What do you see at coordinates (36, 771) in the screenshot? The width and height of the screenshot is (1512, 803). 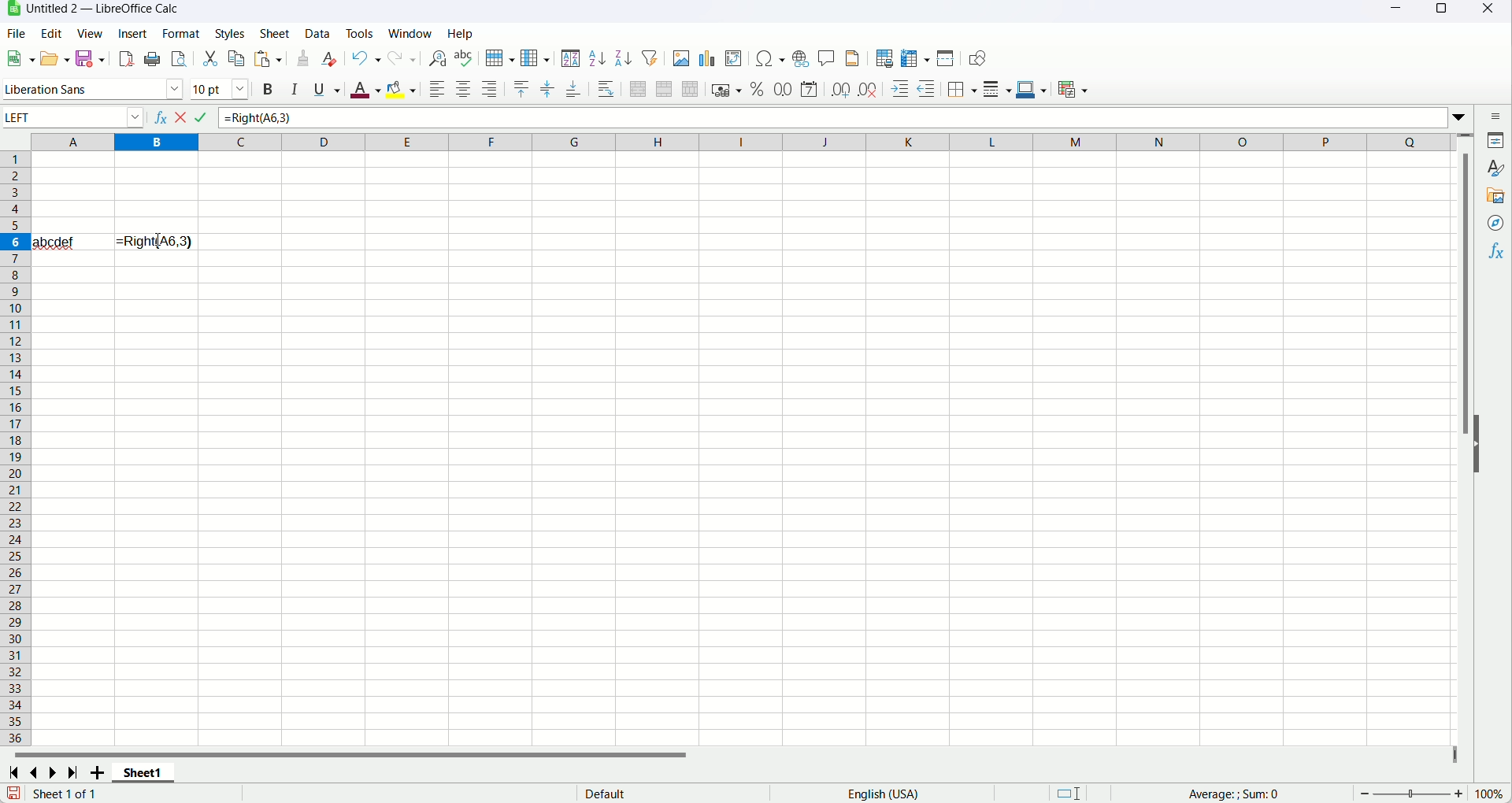 I see `scroll to previous sheet` at bounding box center [36, 771].